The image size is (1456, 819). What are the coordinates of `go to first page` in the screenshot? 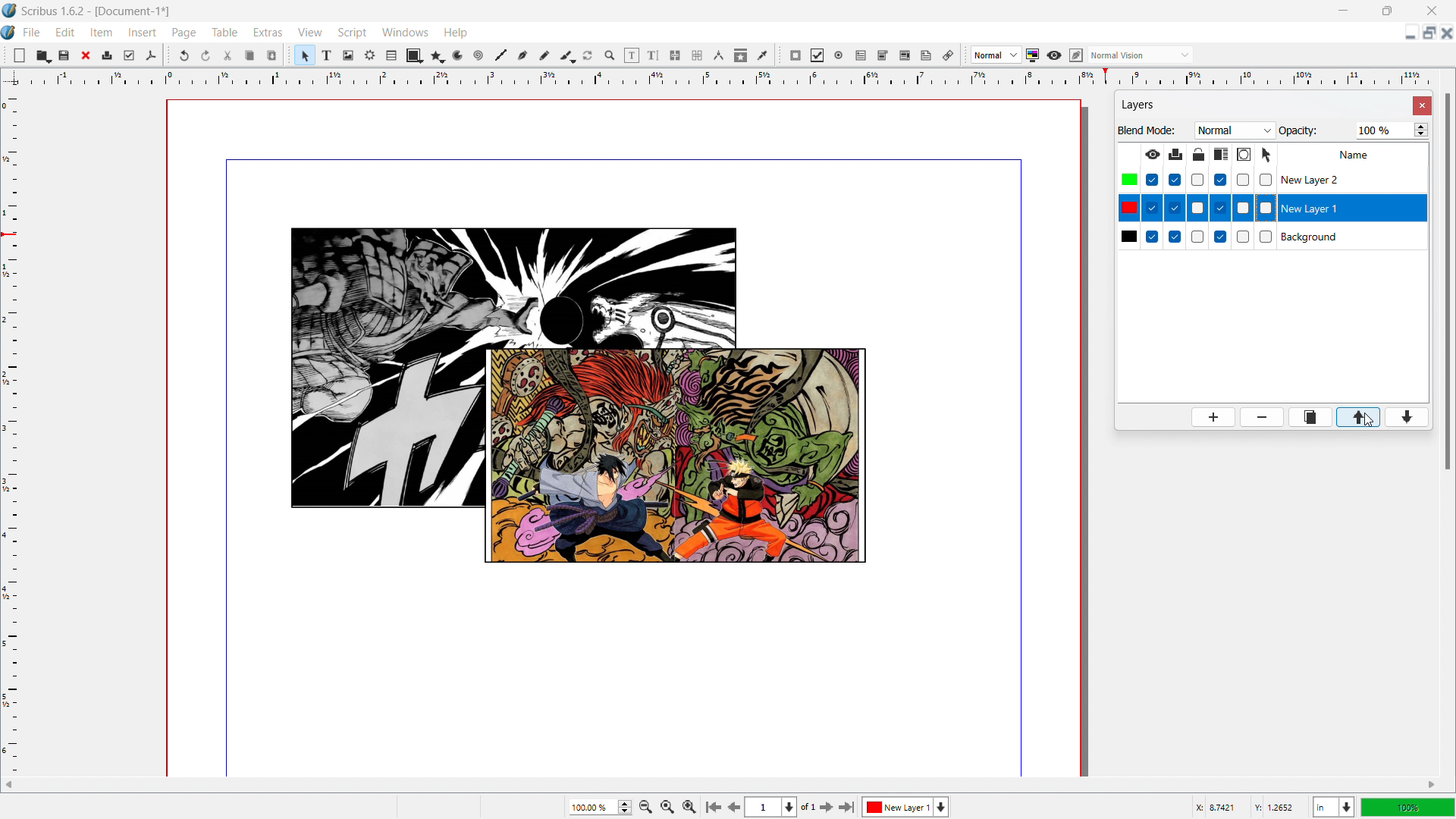 It's located at (712, 805).